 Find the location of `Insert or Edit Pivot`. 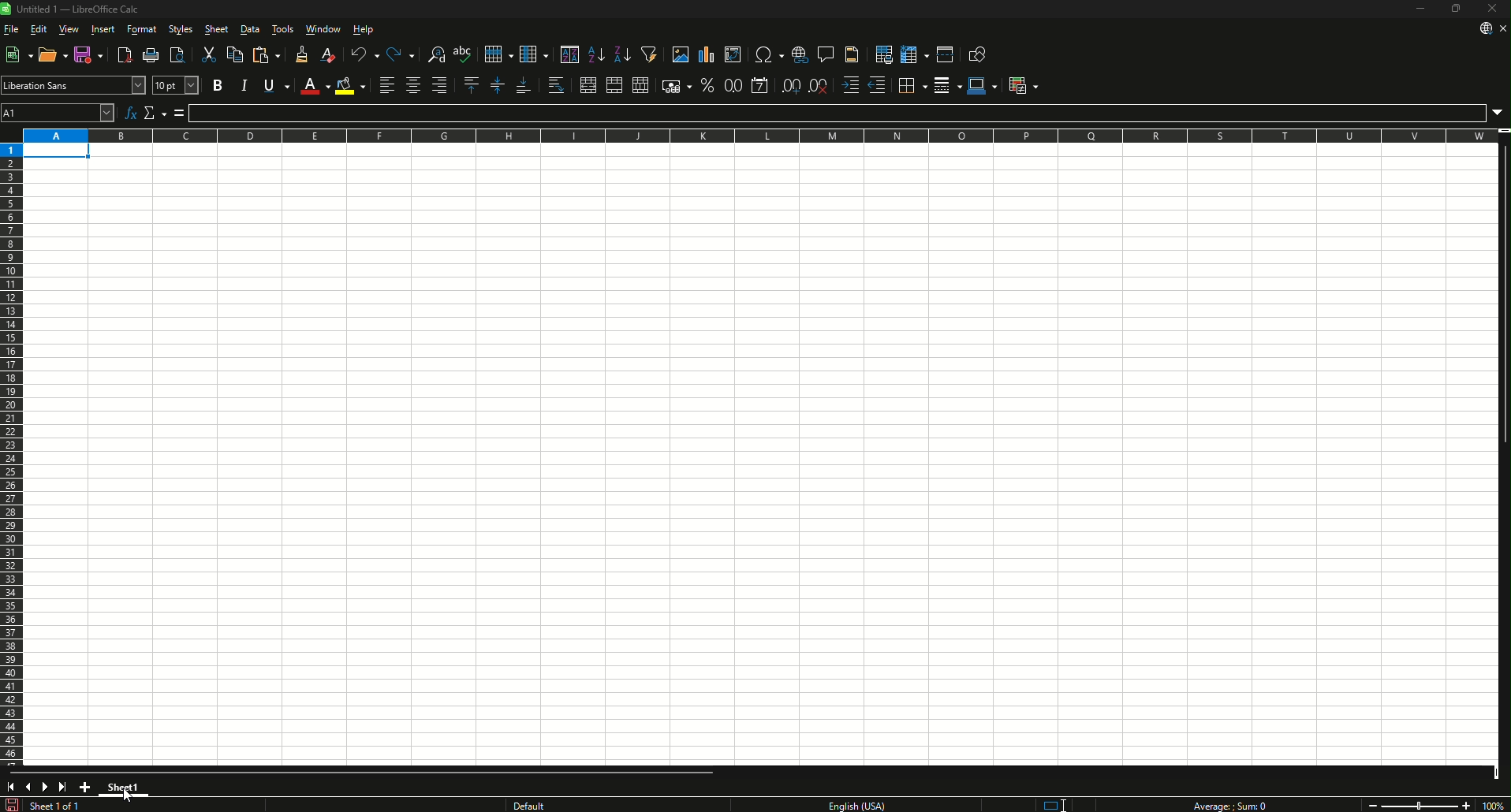

Insert or Edit Pivot is located at coordinates (733, 54).